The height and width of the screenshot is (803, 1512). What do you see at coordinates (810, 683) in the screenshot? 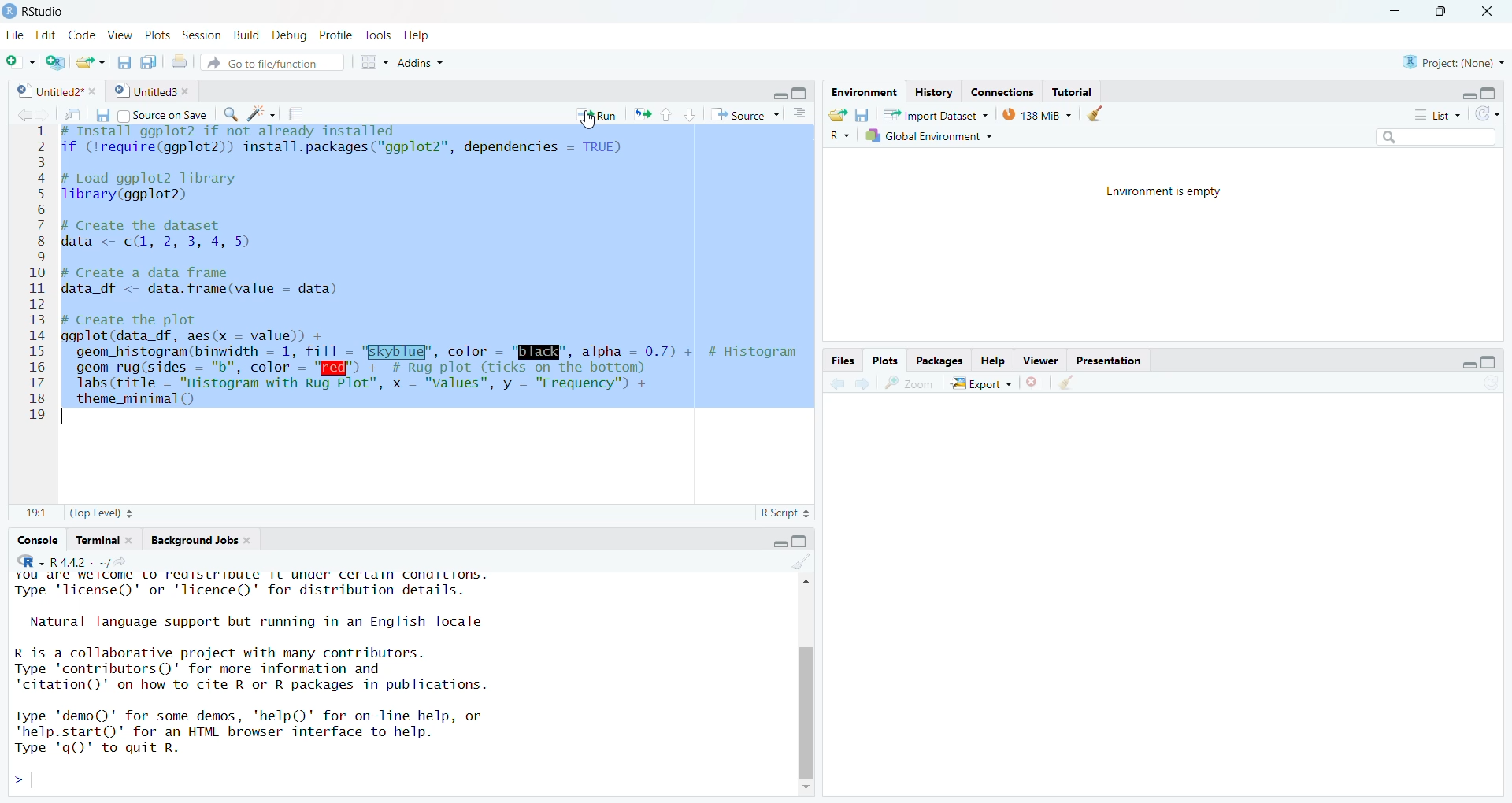
I see `Scroll bar` at bounding box center [810, 683].